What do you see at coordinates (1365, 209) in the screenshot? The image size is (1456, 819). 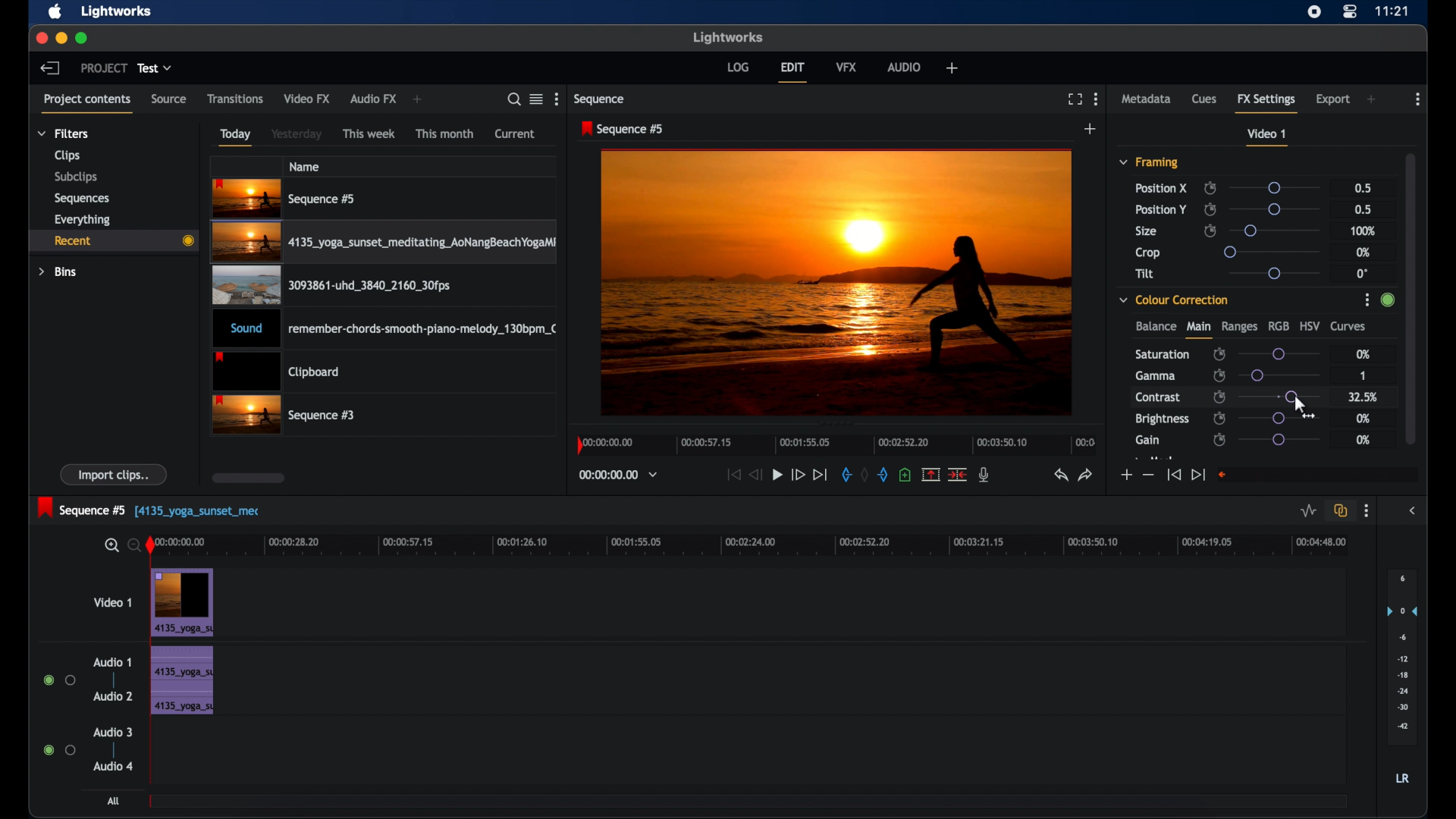 I see `0.5` at bounding box center [1365, 209].